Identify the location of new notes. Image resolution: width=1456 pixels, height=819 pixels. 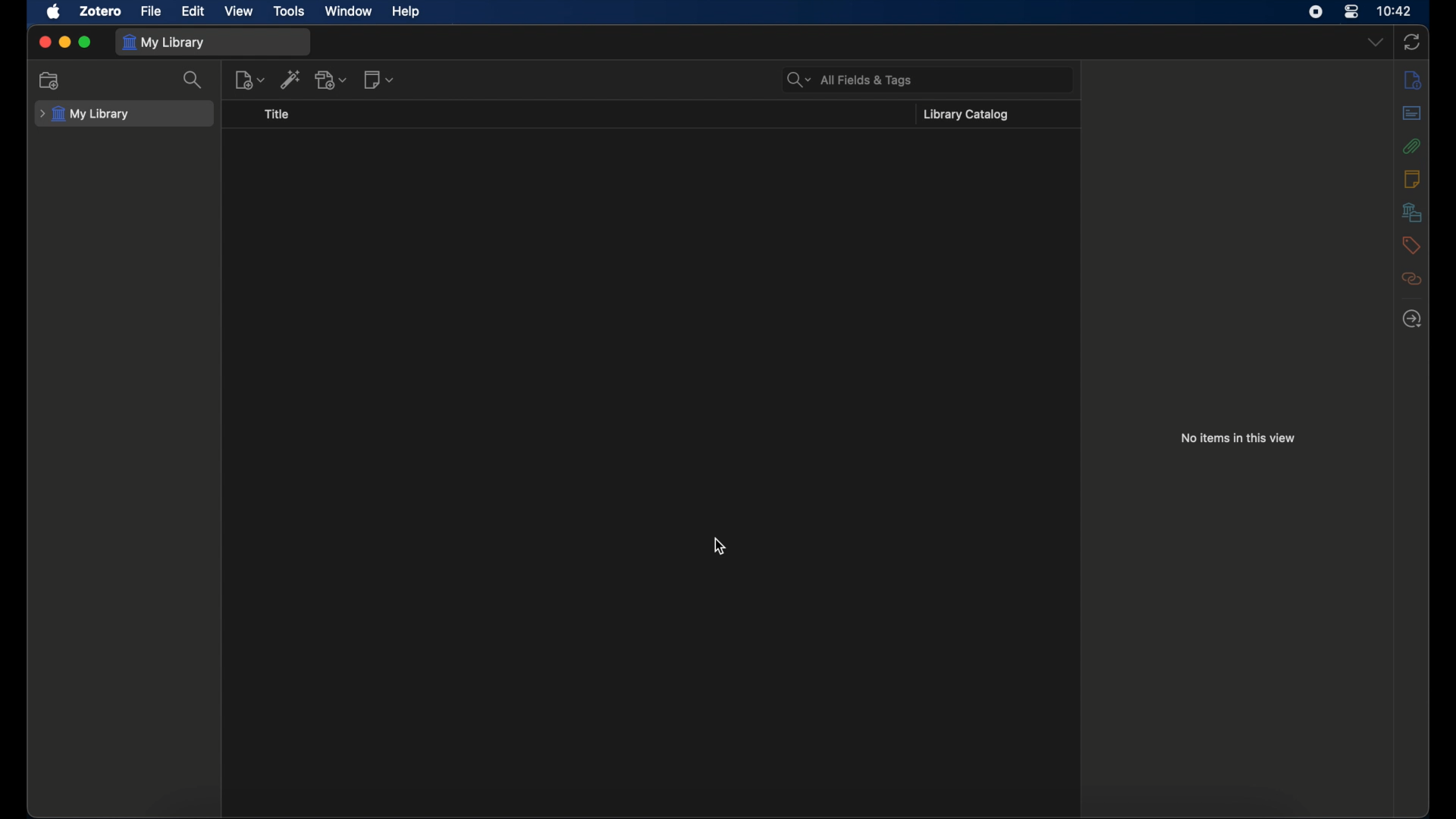
(379, 80).